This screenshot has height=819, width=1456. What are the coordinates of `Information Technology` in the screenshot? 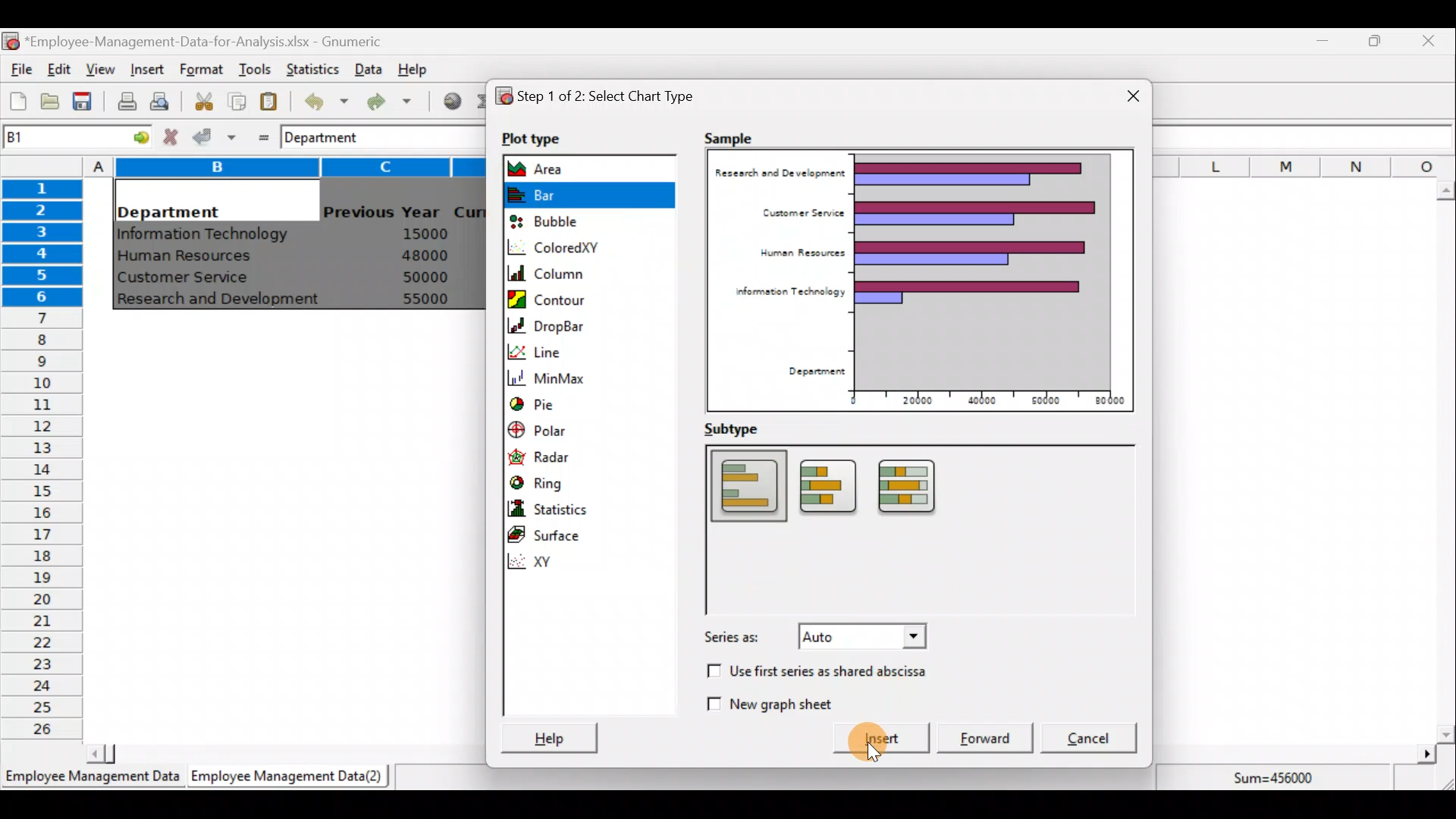 It's located at (205, 234).